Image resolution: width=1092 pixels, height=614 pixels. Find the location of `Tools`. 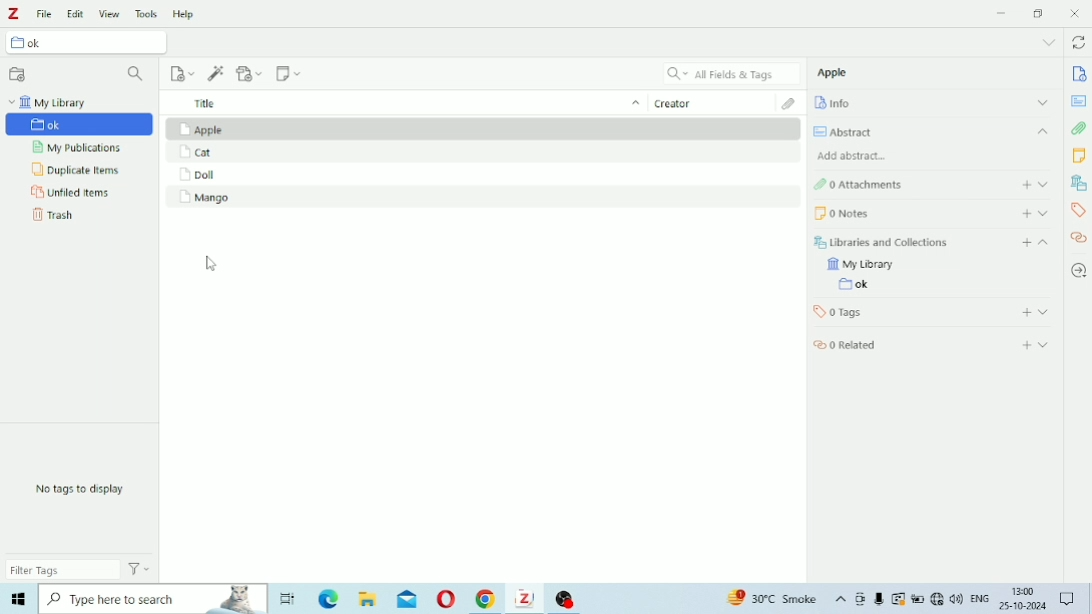

Tools is located at coordinates (147, 13).